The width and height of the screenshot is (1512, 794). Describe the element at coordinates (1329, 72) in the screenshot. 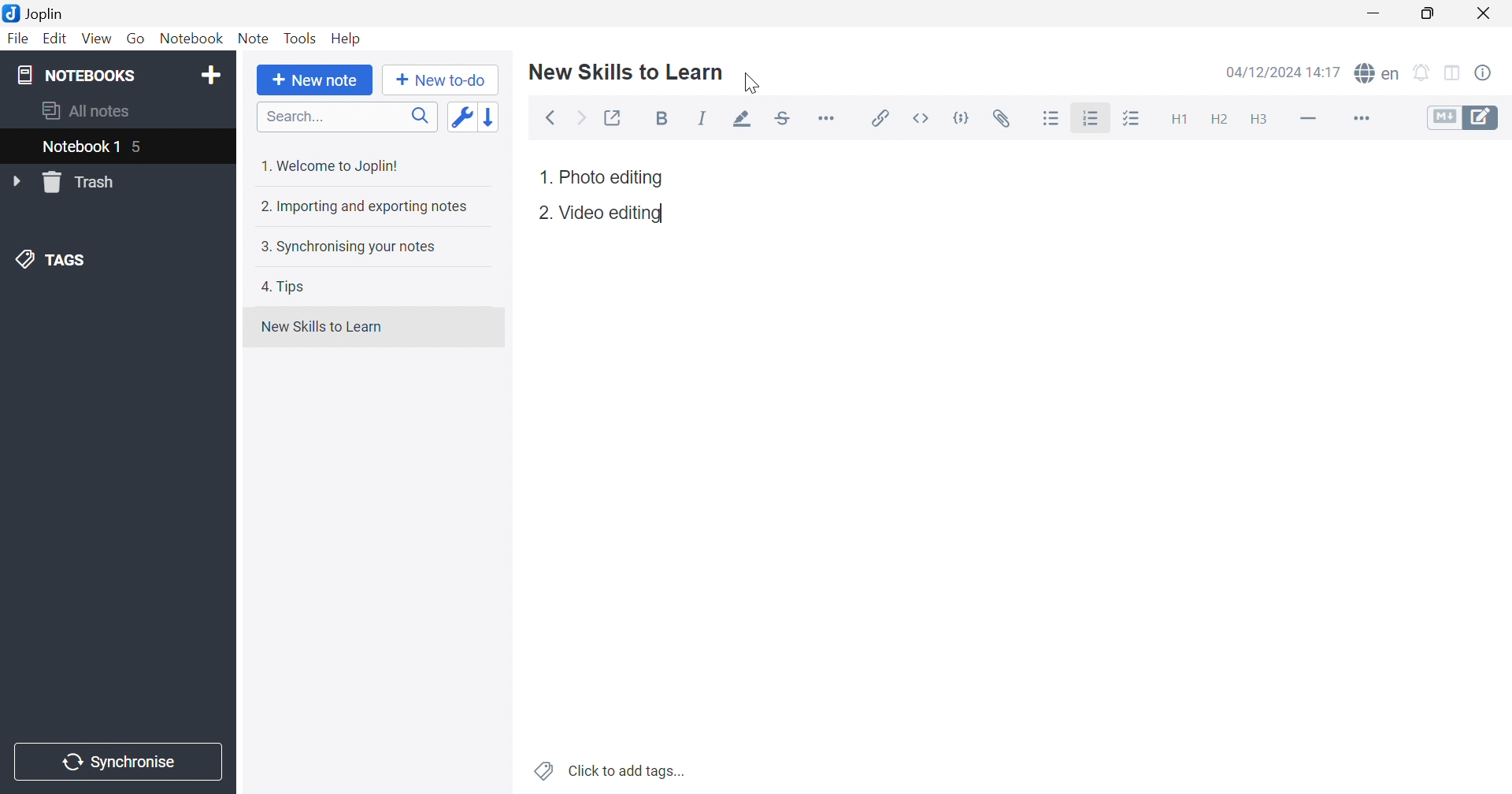

I see `14:15` at that location.